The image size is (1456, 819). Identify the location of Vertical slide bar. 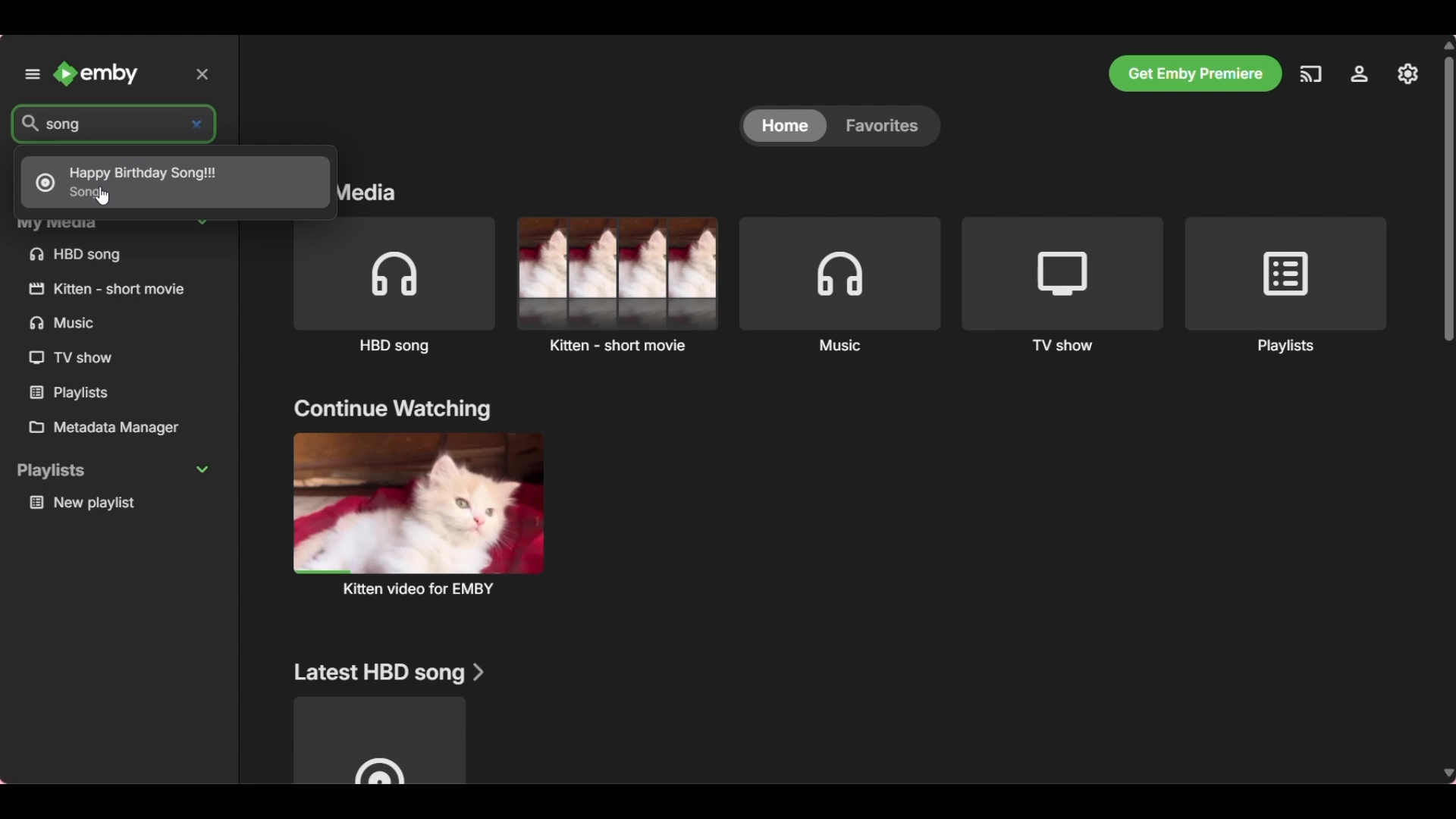
(1451, 408).